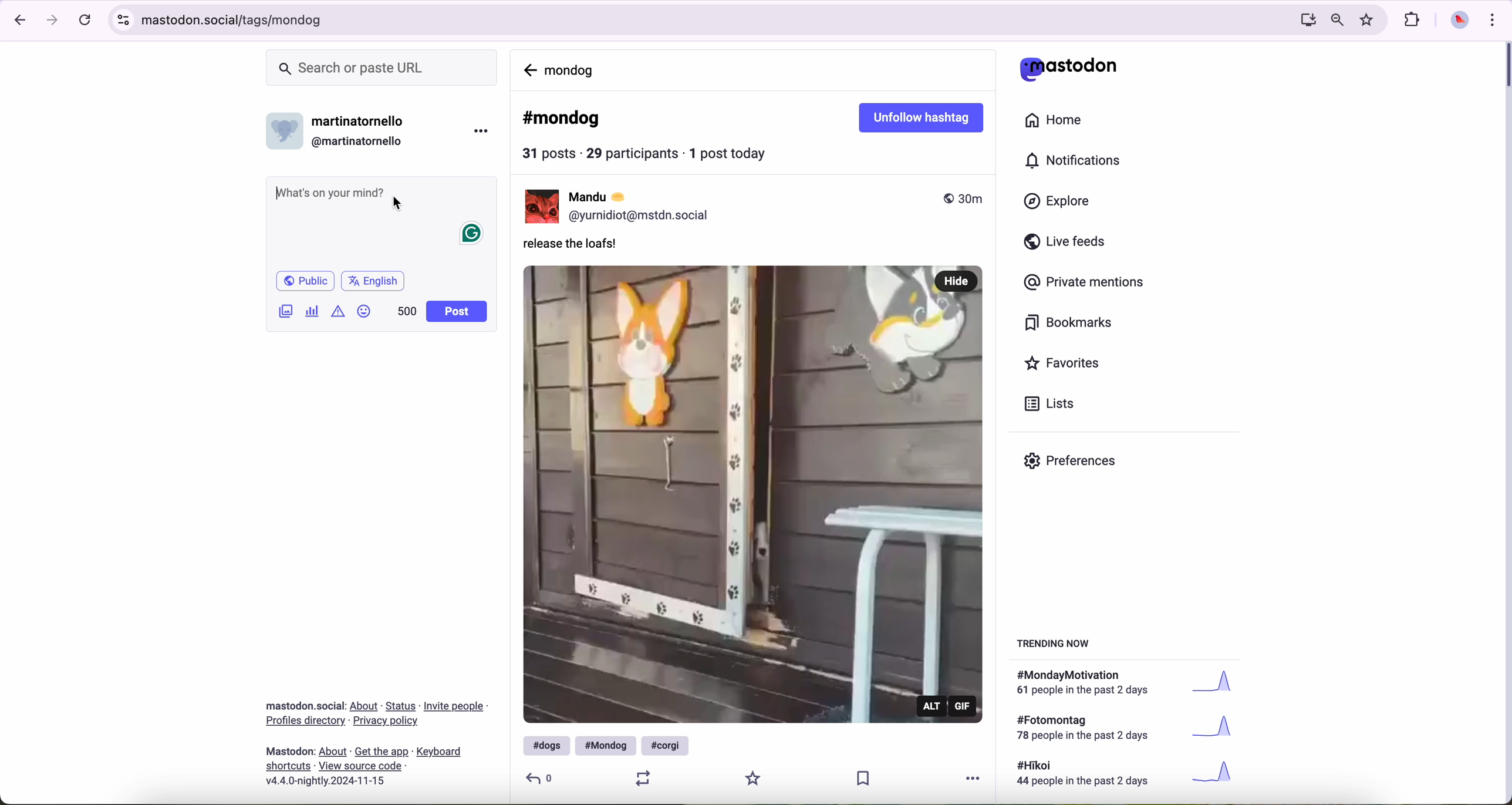  What do you see at coordinates (1368, 19) in the screenshot?
I see `favorites` at bounding box center [1368, 19].